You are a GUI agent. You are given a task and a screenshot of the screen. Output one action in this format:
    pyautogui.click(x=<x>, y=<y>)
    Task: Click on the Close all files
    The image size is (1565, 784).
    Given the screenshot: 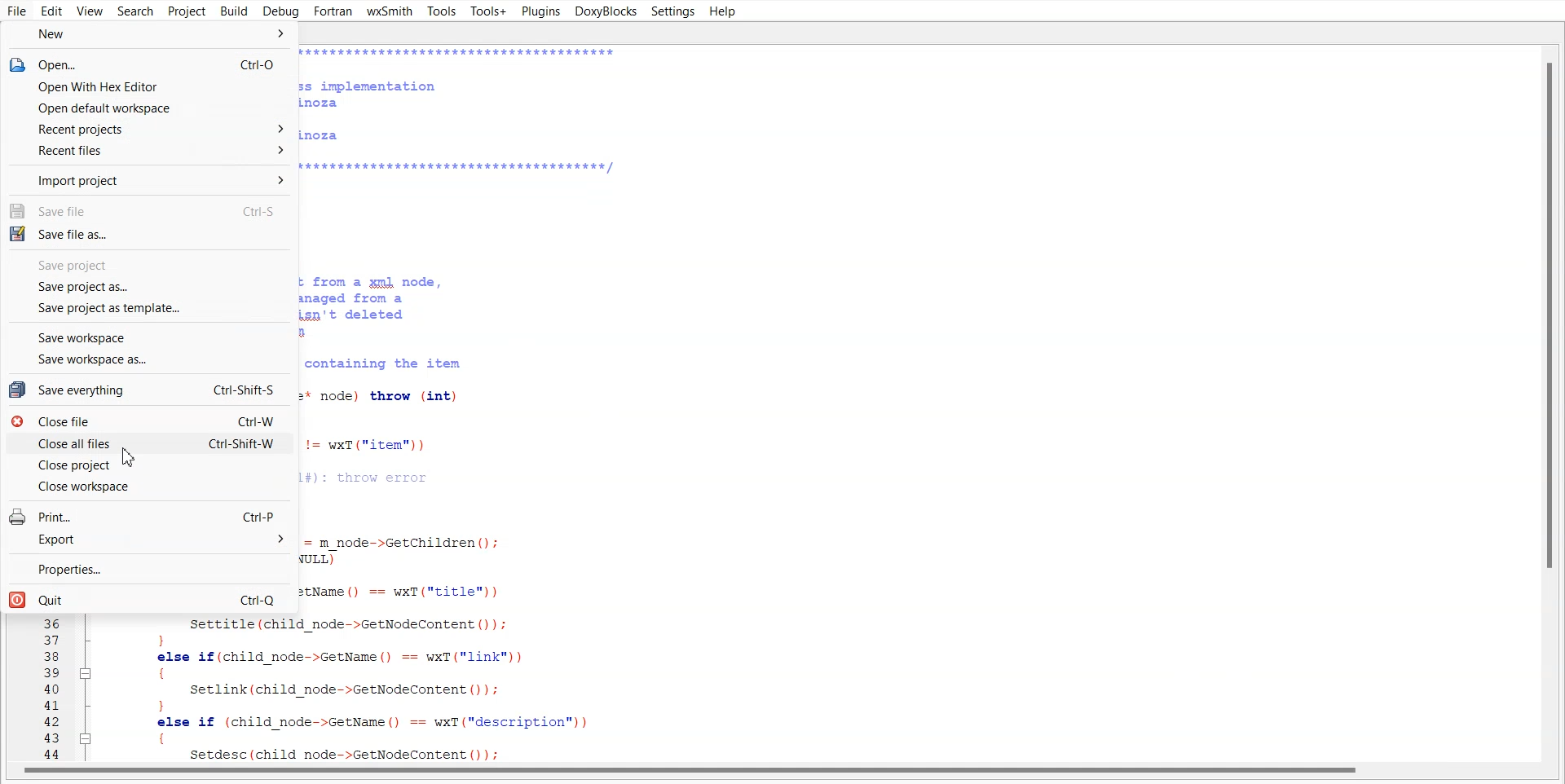 What is the action you would take?
    pyautogui.click(x=150, y=444)
    